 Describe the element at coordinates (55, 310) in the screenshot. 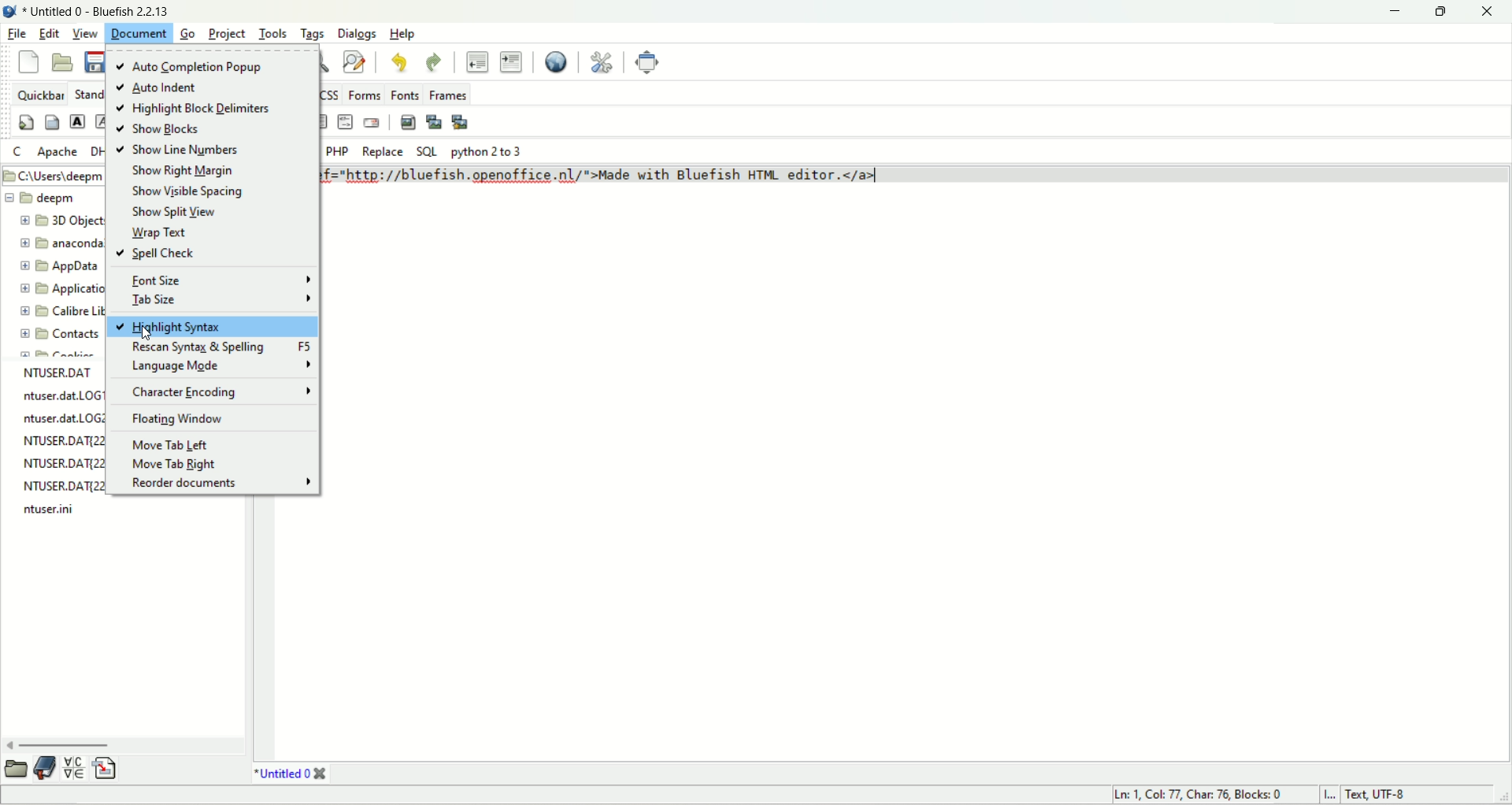

I see `calibre library` at that location.